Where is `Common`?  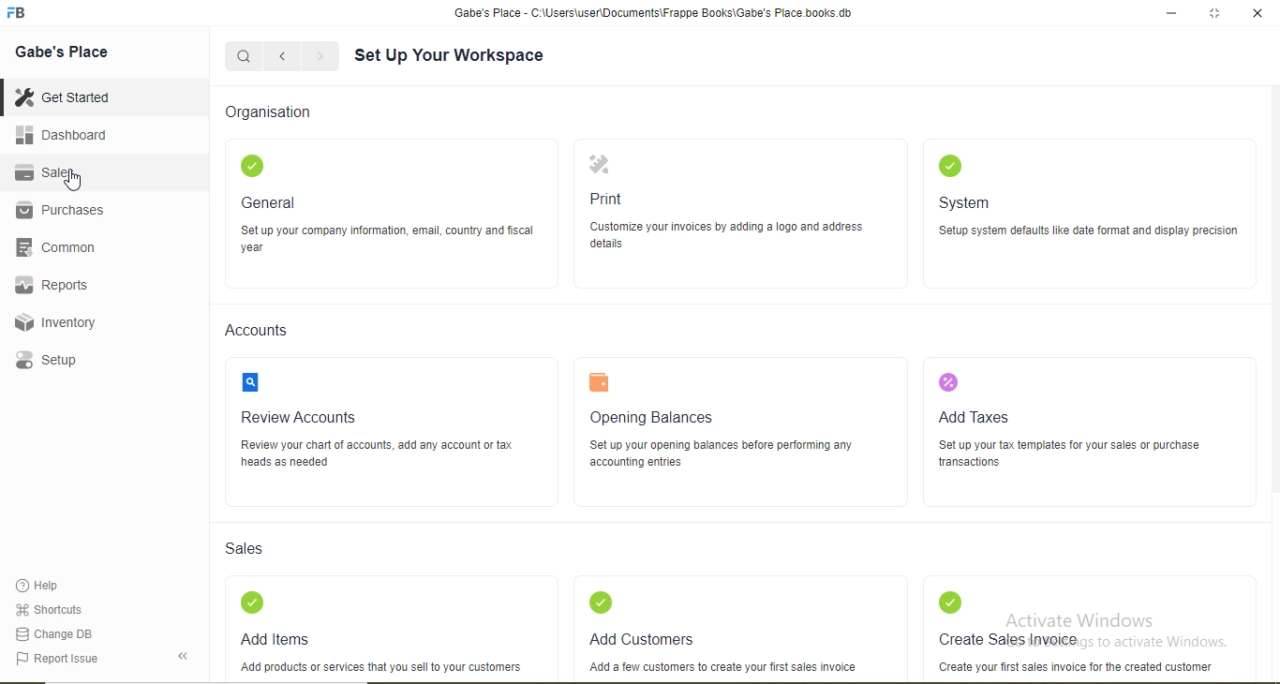
Common is located at coordinates (62, 250).